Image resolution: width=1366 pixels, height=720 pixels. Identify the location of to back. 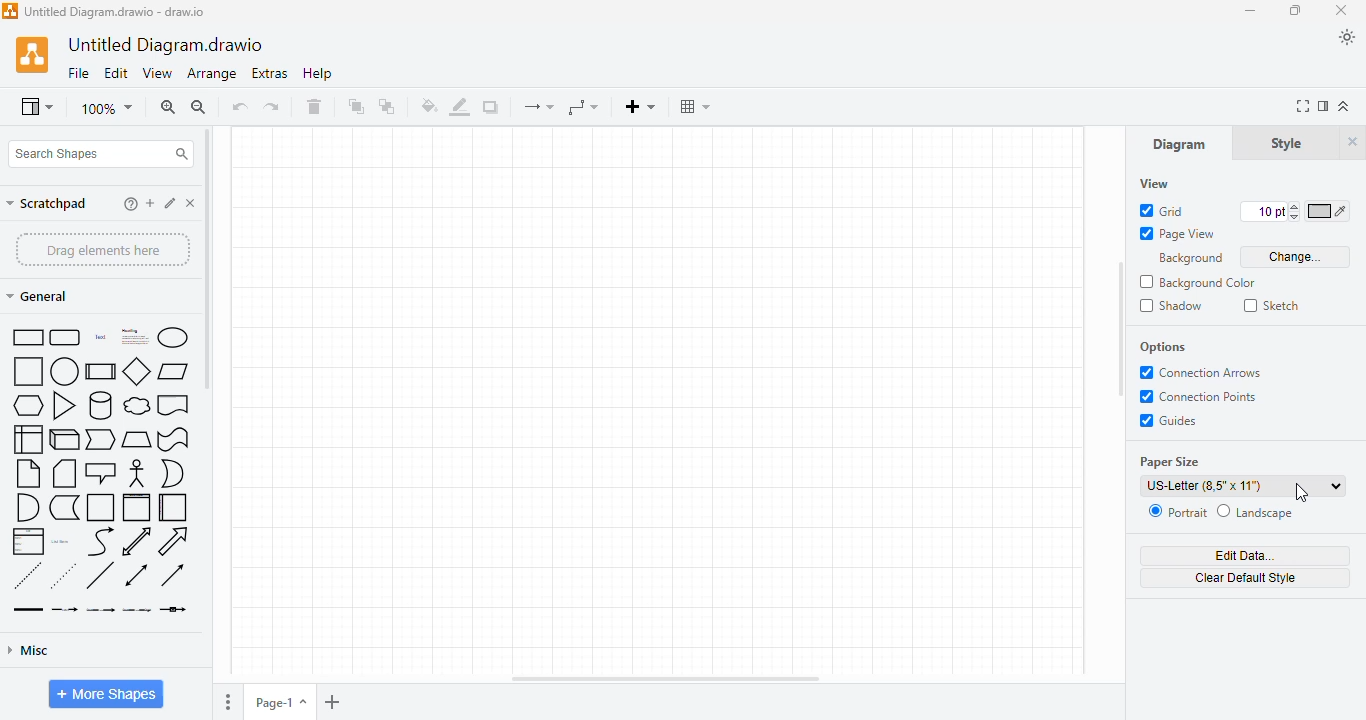
(388, 106).